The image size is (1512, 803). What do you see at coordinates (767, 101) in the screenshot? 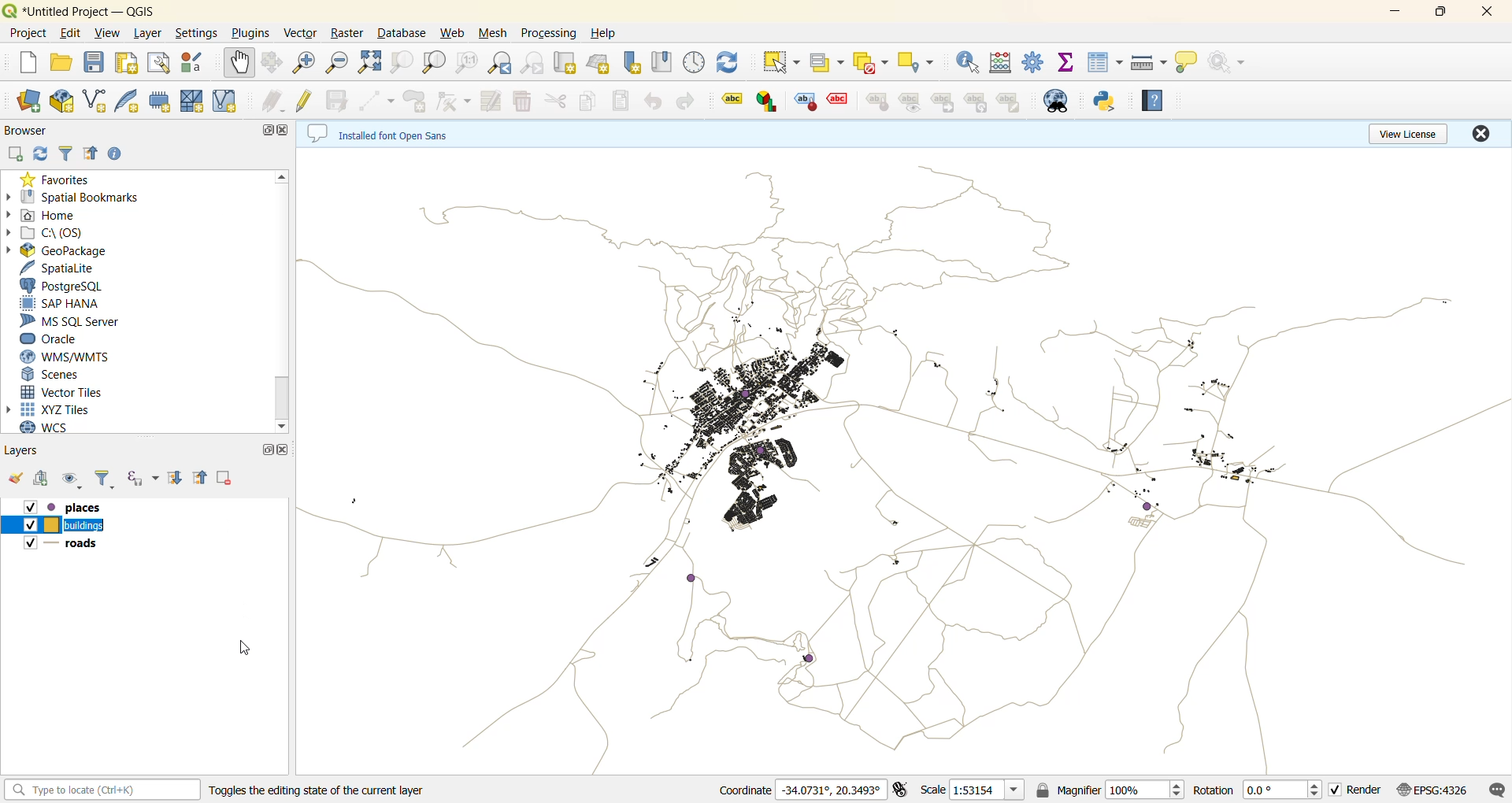
I see `graph` at bounding box center [767, 101].